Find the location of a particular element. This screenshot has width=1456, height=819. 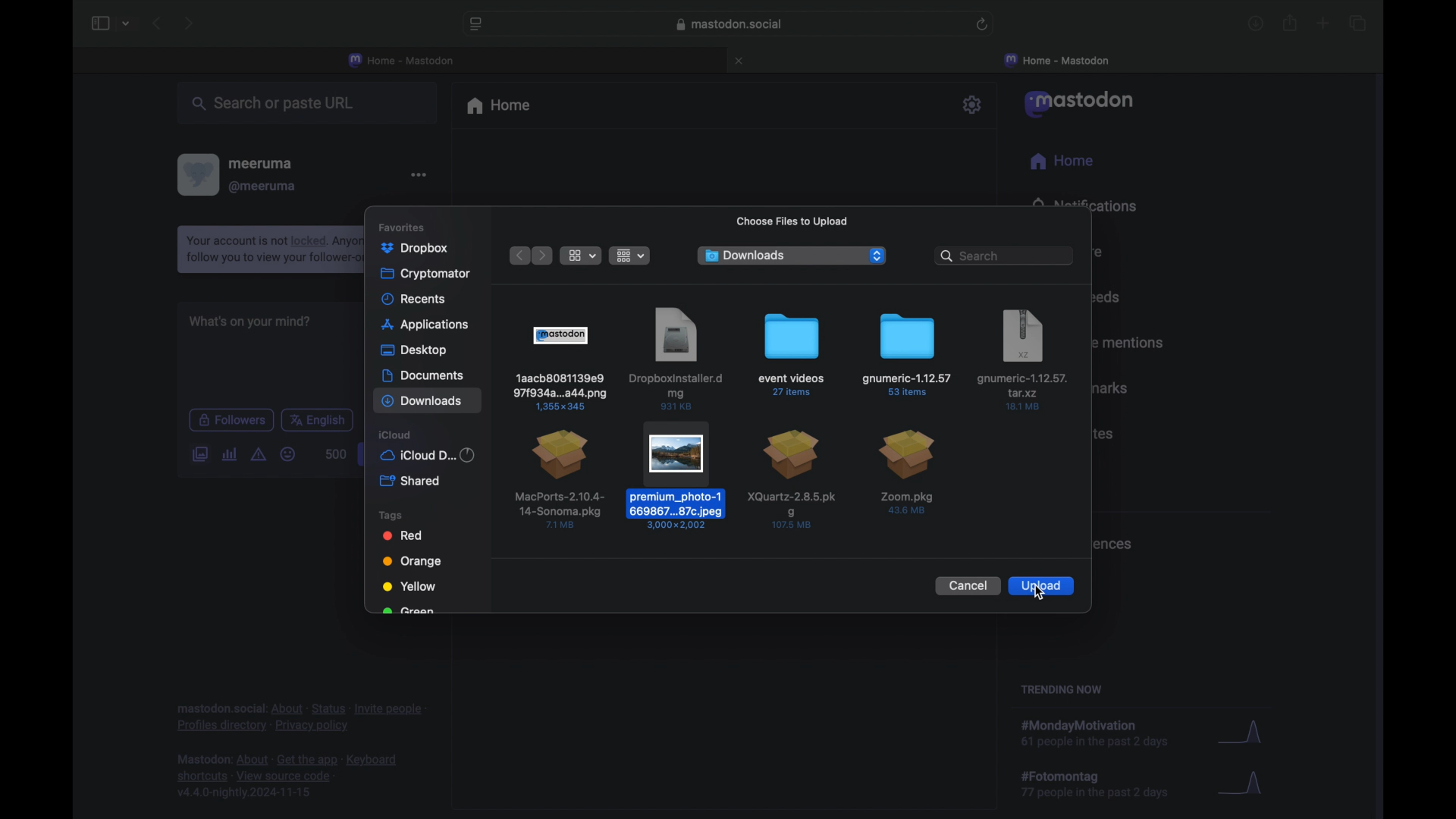

recents is located at coordinates (417, 299).